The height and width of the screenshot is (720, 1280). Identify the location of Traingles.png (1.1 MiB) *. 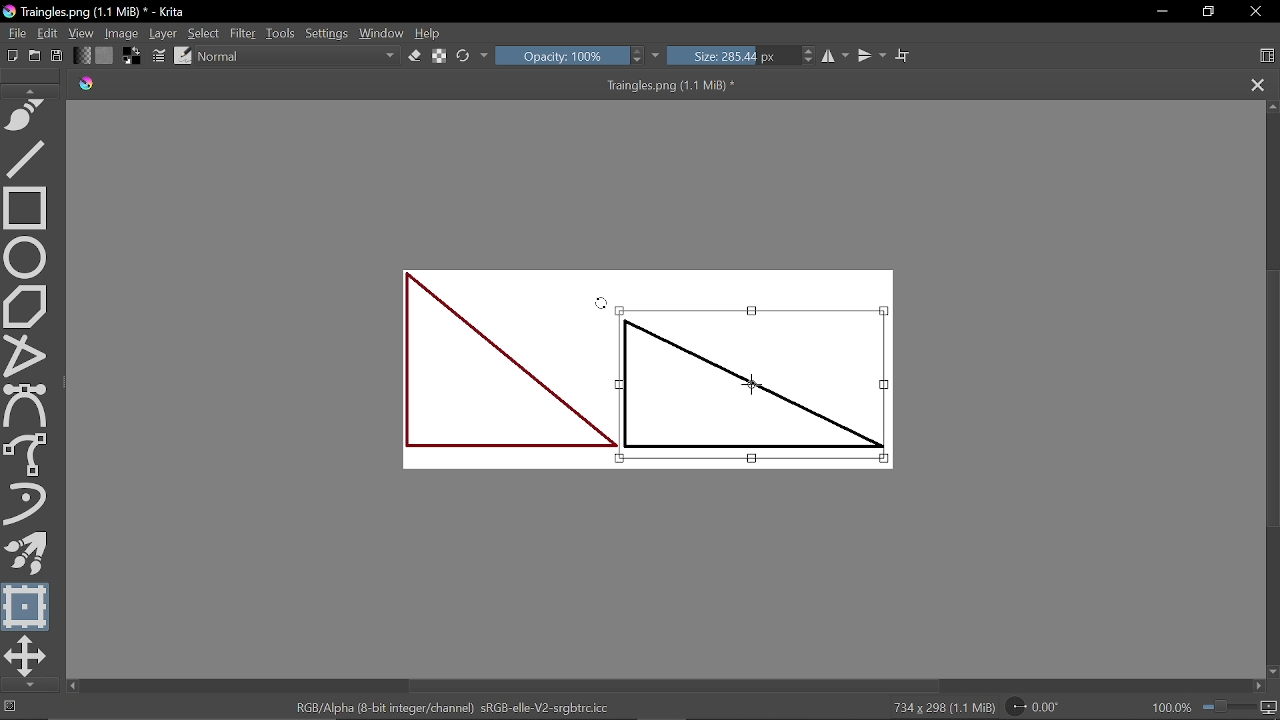
(438, 85).